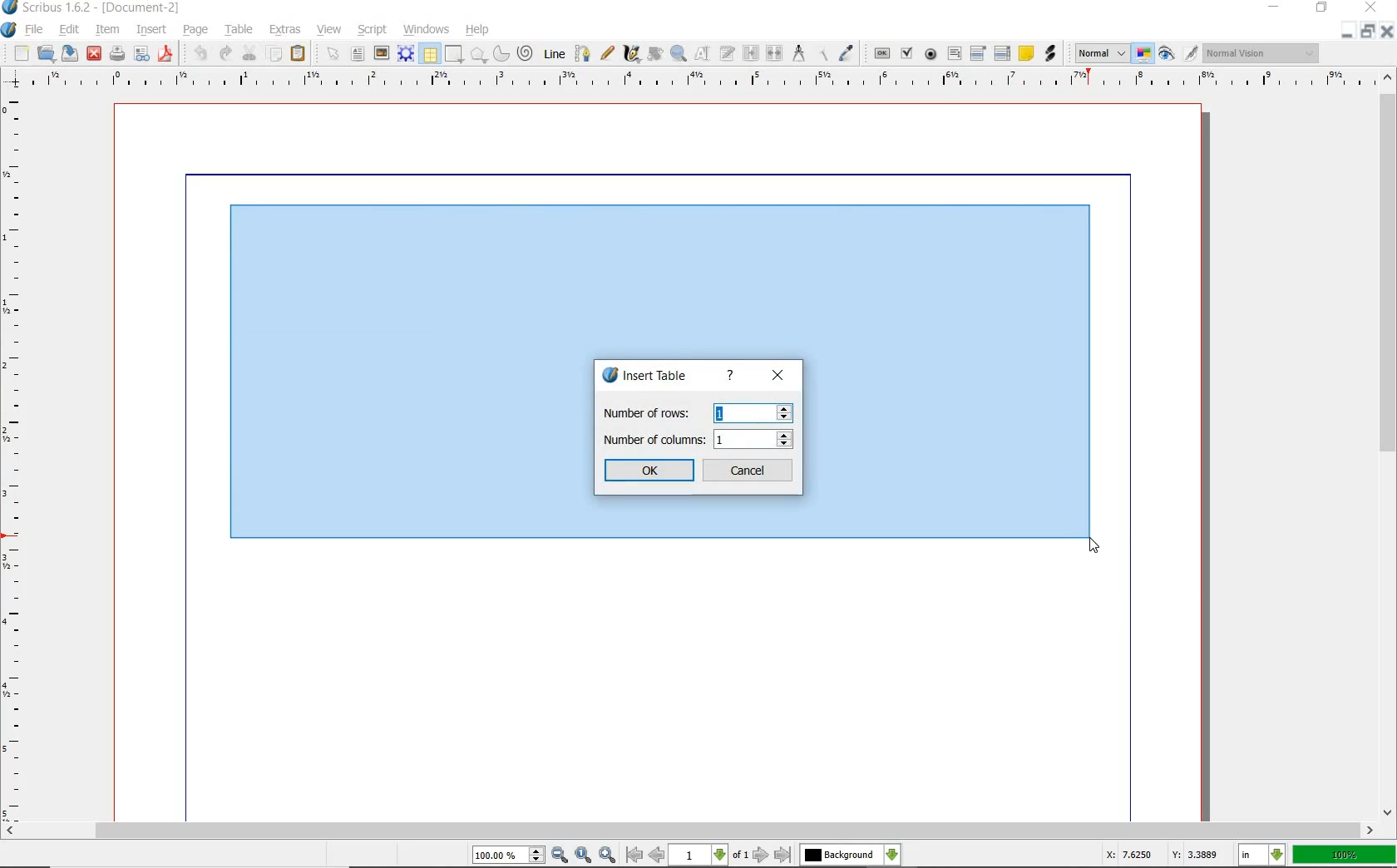  What do you see at coordinates (430, 54) in the screenshot?
I see `table` at bounding box center [430, 54].